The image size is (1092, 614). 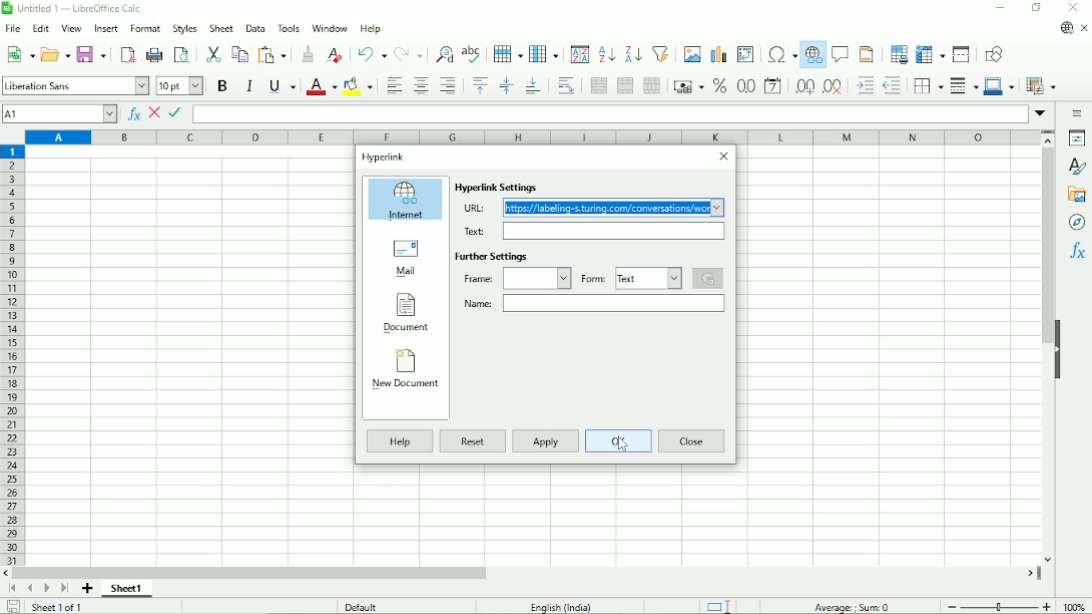 I want to click on Export directly as PDF, so click(x=127, y=55).